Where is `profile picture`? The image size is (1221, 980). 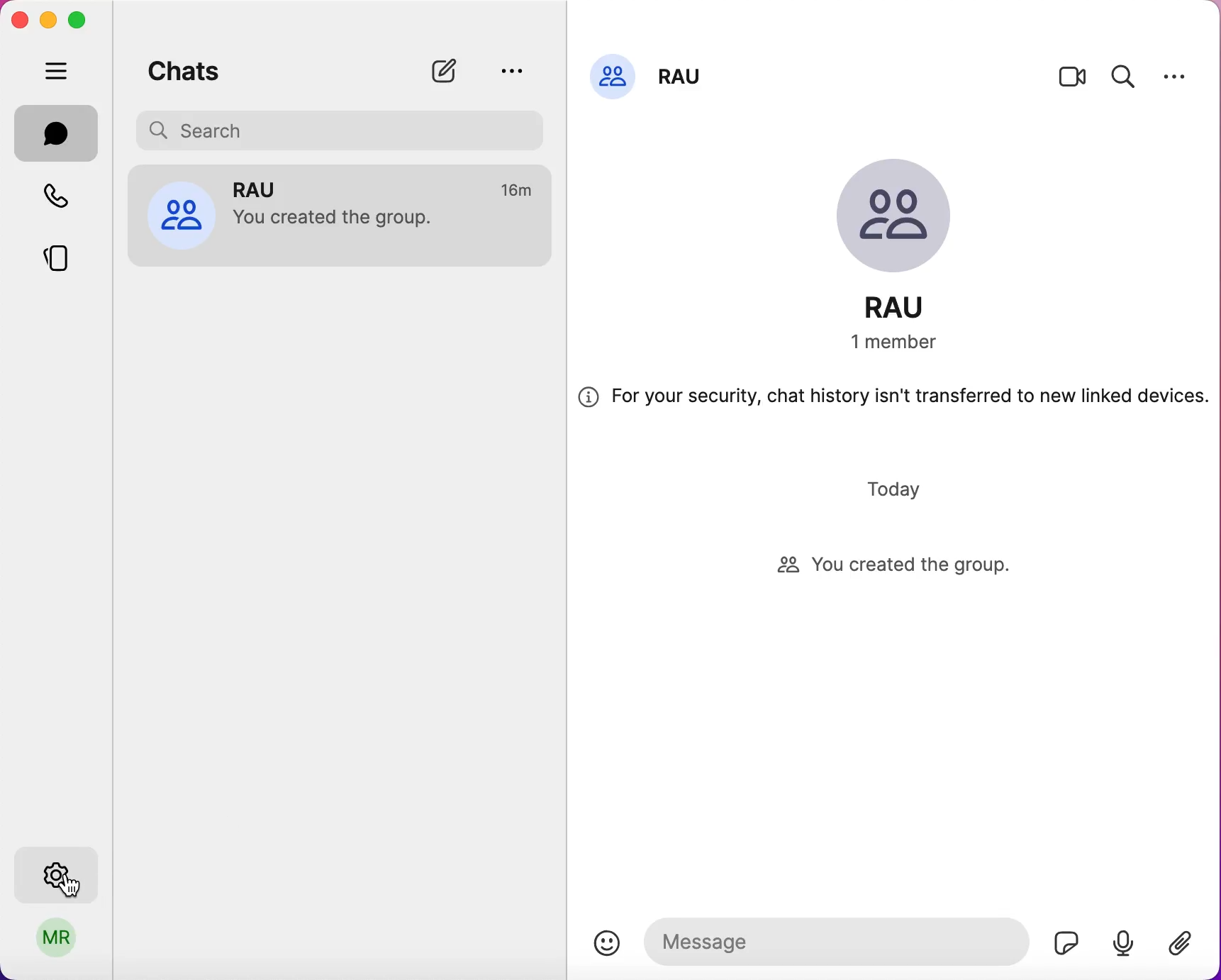 profile picture is located at coordinates (613, 74).